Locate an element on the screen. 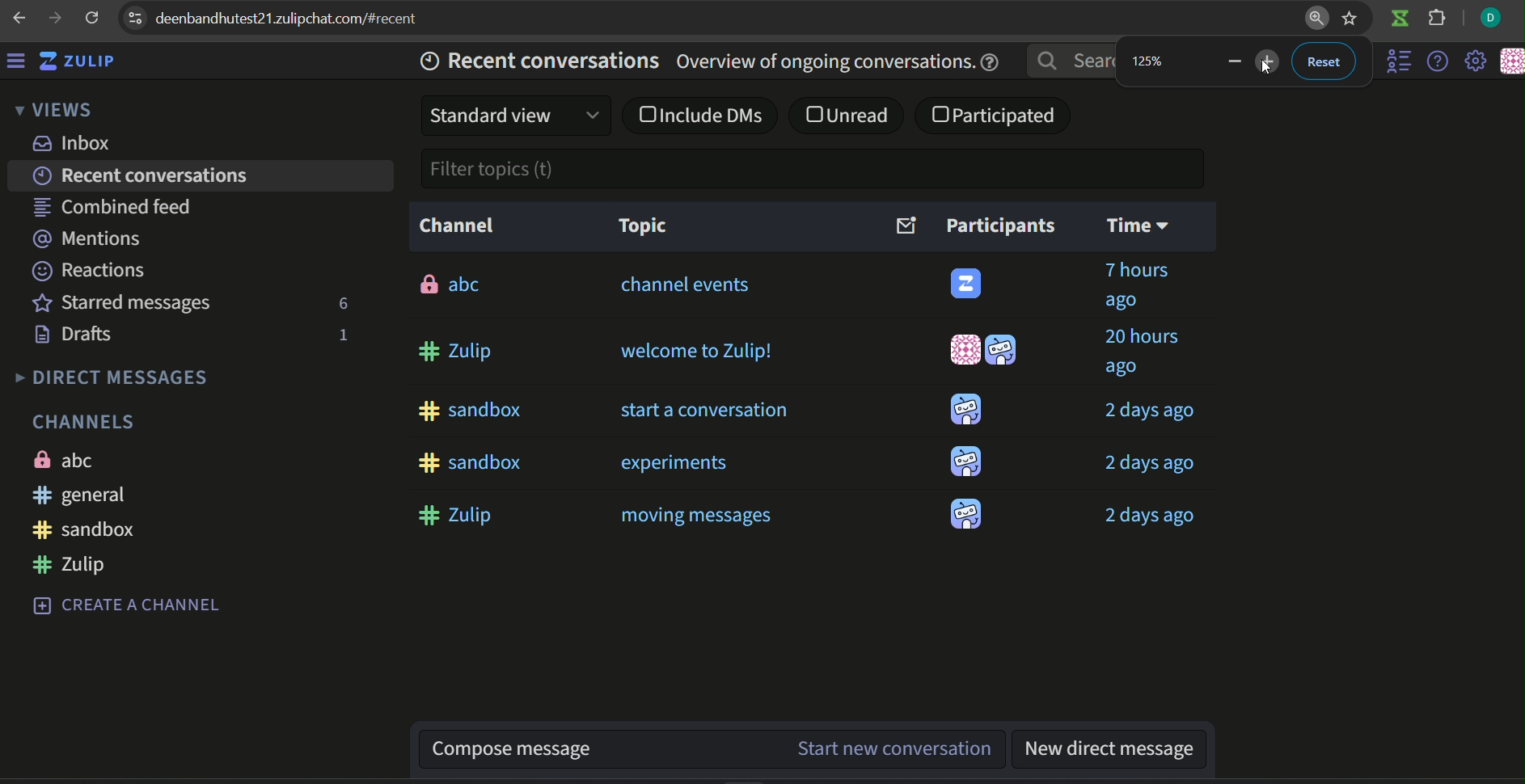 This screenshot has height=784, width=1525. options is located at coordinates (1392, 62).